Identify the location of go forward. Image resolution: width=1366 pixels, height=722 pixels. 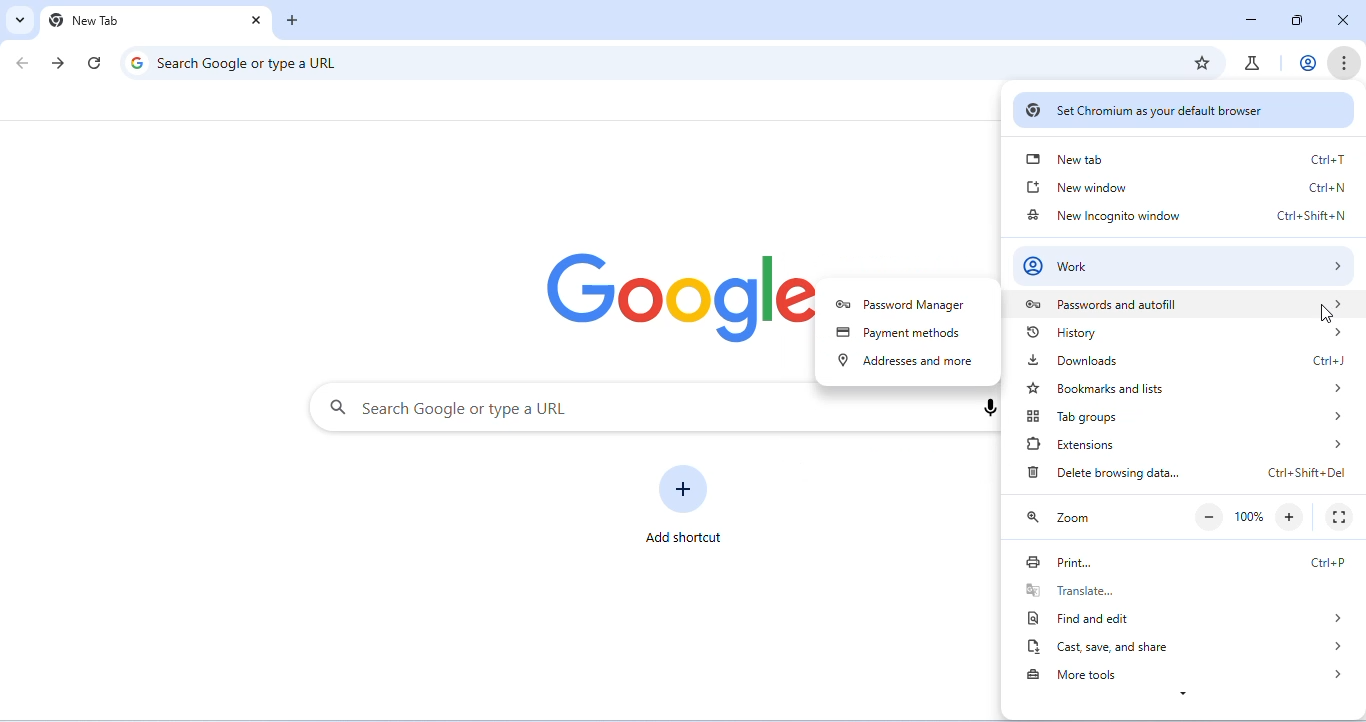
(60, 63).